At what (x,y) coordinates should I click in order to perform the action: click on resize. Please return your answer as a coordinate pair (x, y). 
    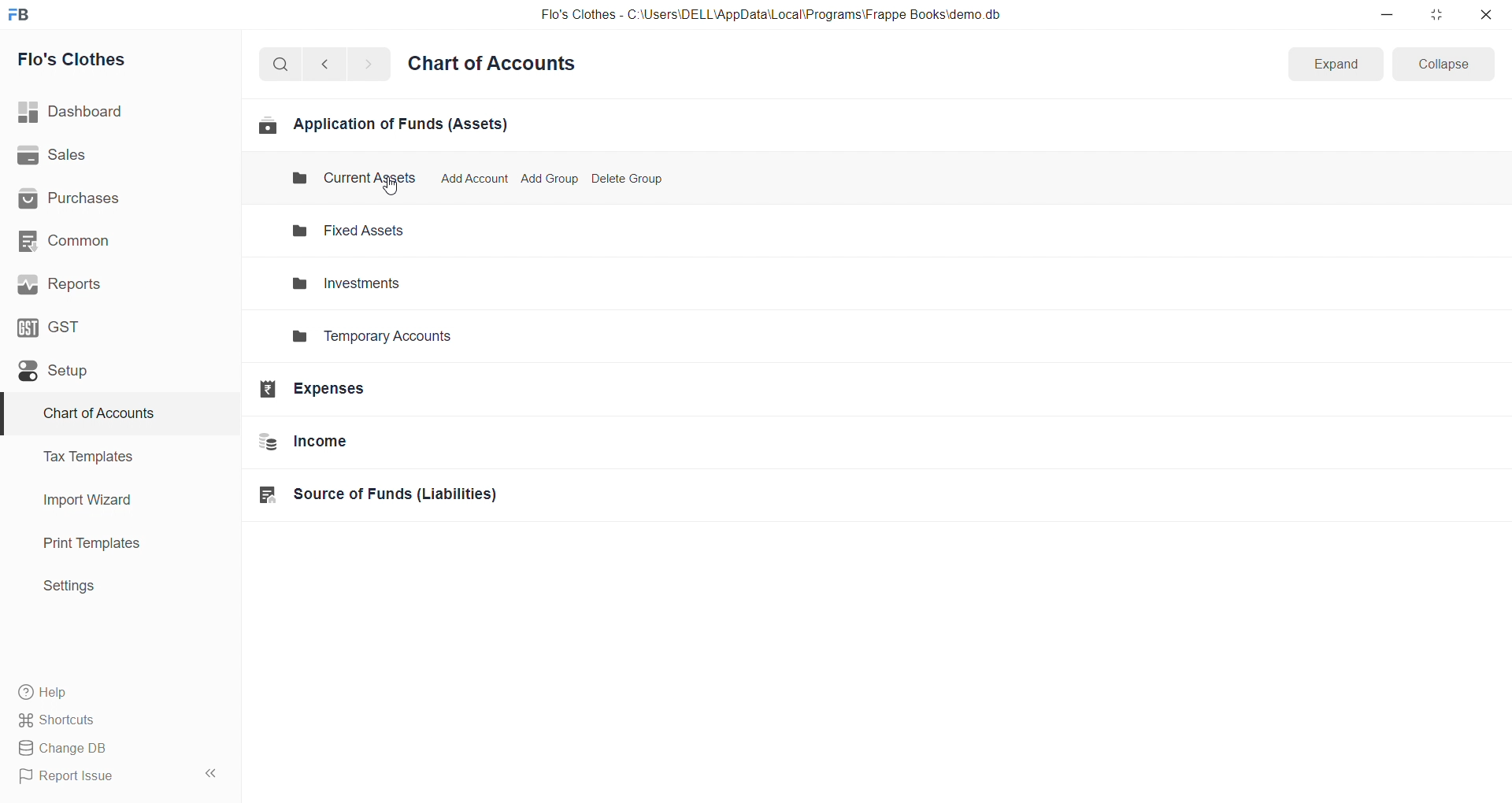
    Looking at the image, I should click on (1436, 14).